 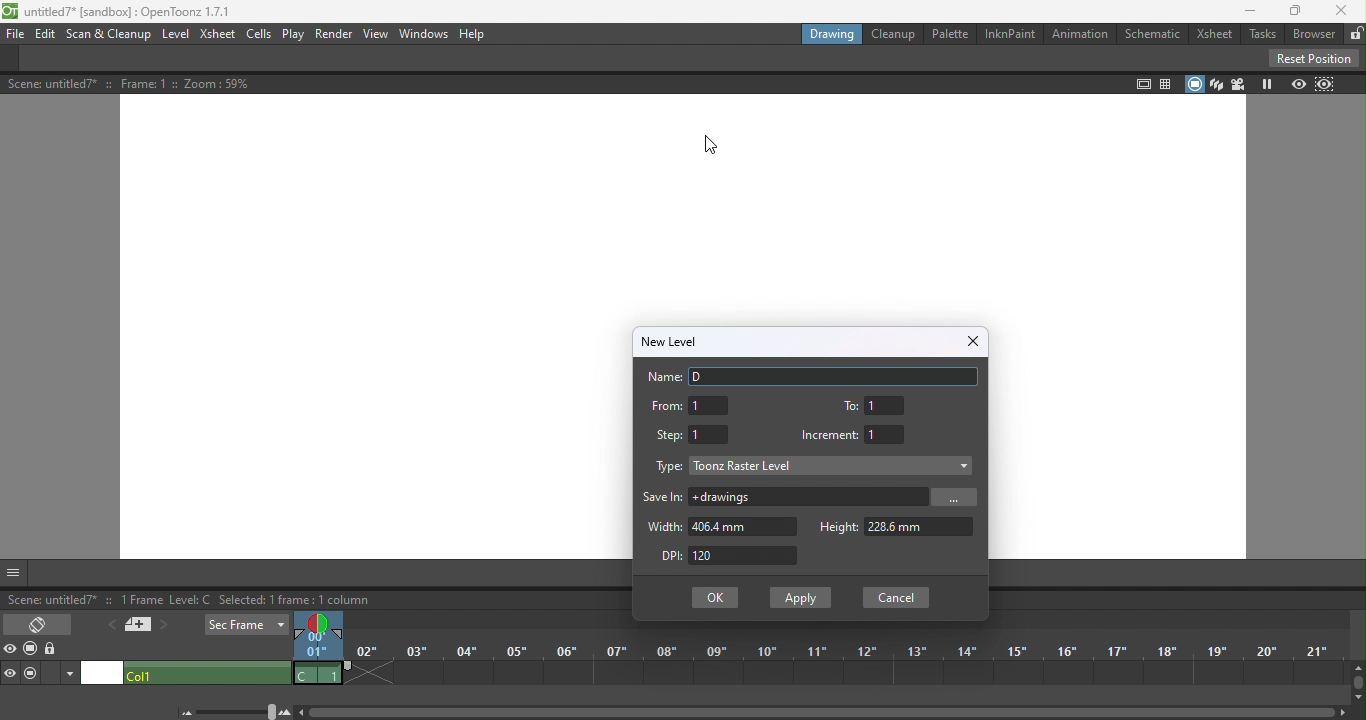 I want to click on Play, so click(x=291, y=35).